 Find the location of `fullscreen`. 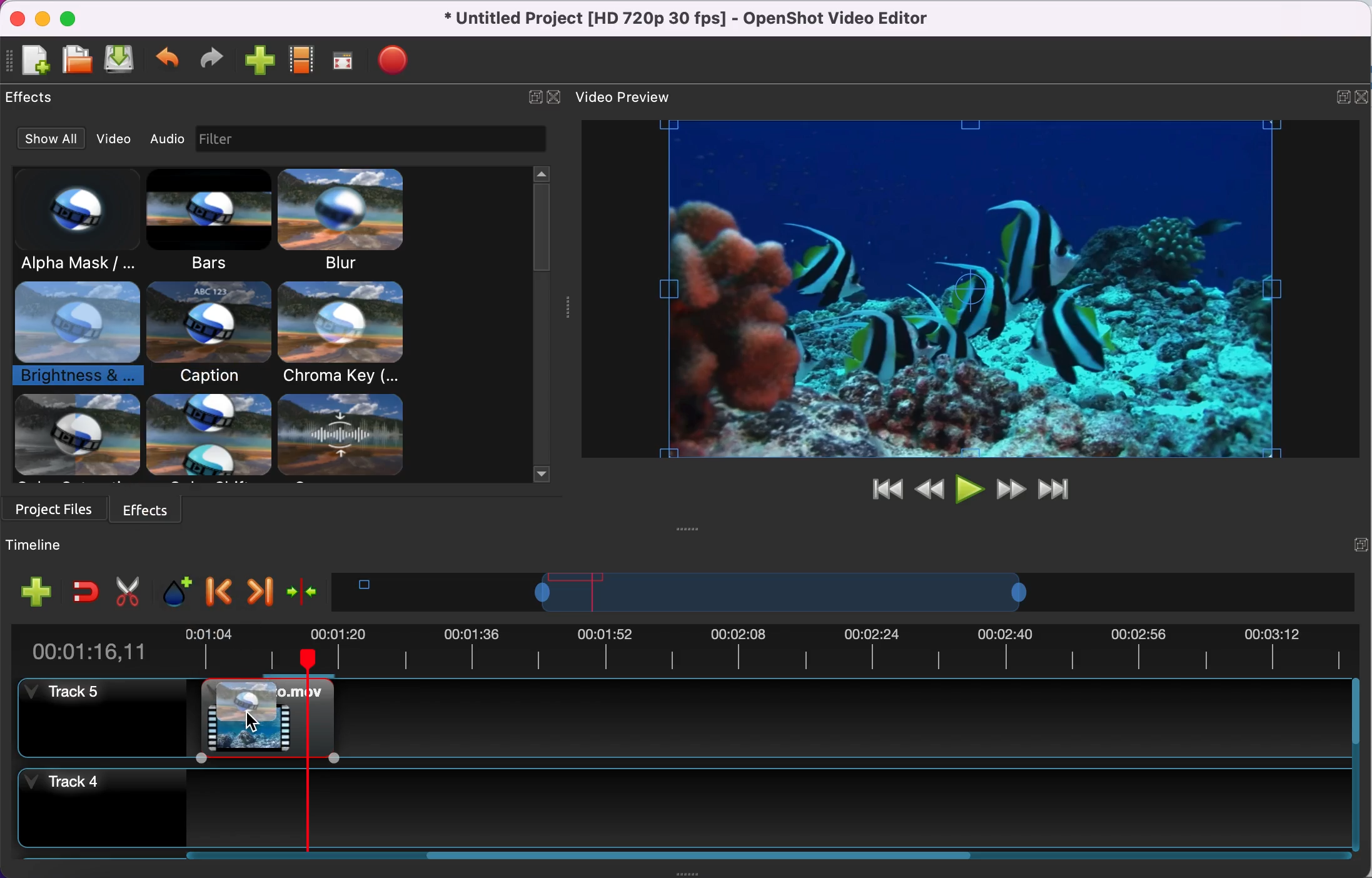

fullscreen is located at coordinates (341, 63).